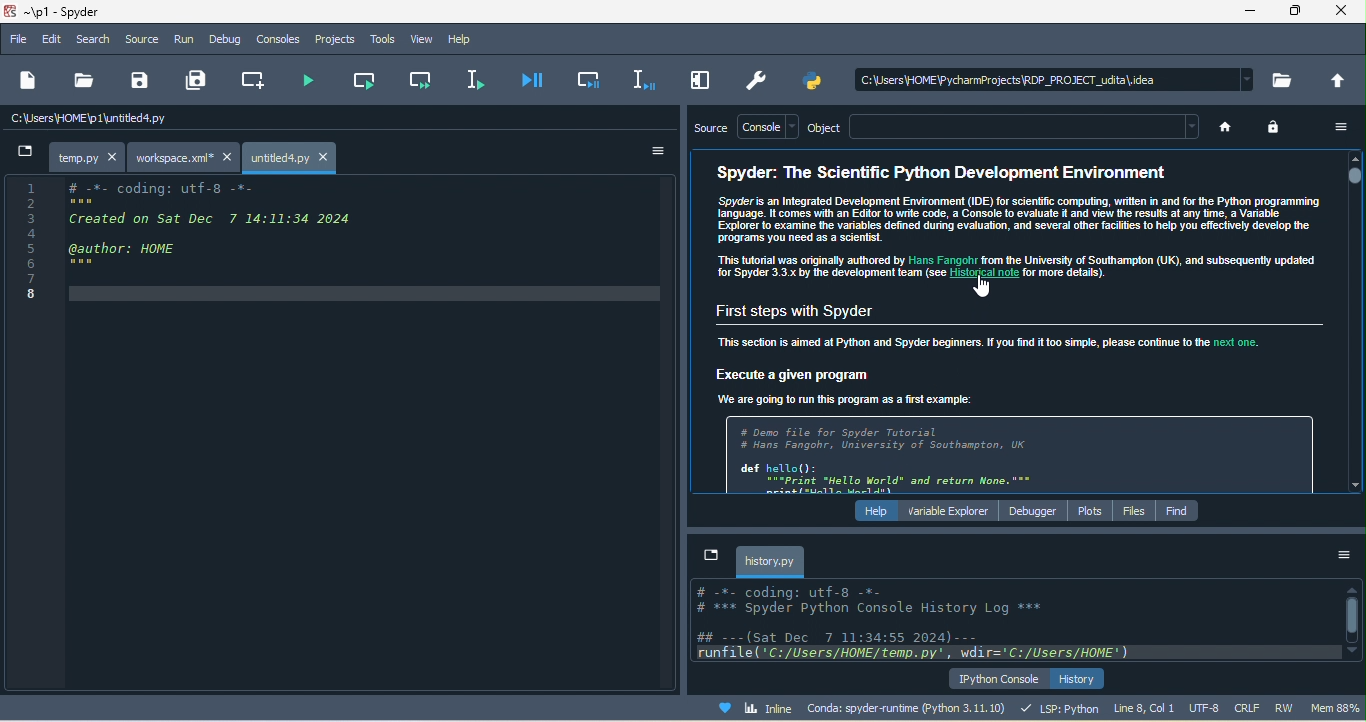  I want to click on run current cell and go to the next one, so click(423, 82).